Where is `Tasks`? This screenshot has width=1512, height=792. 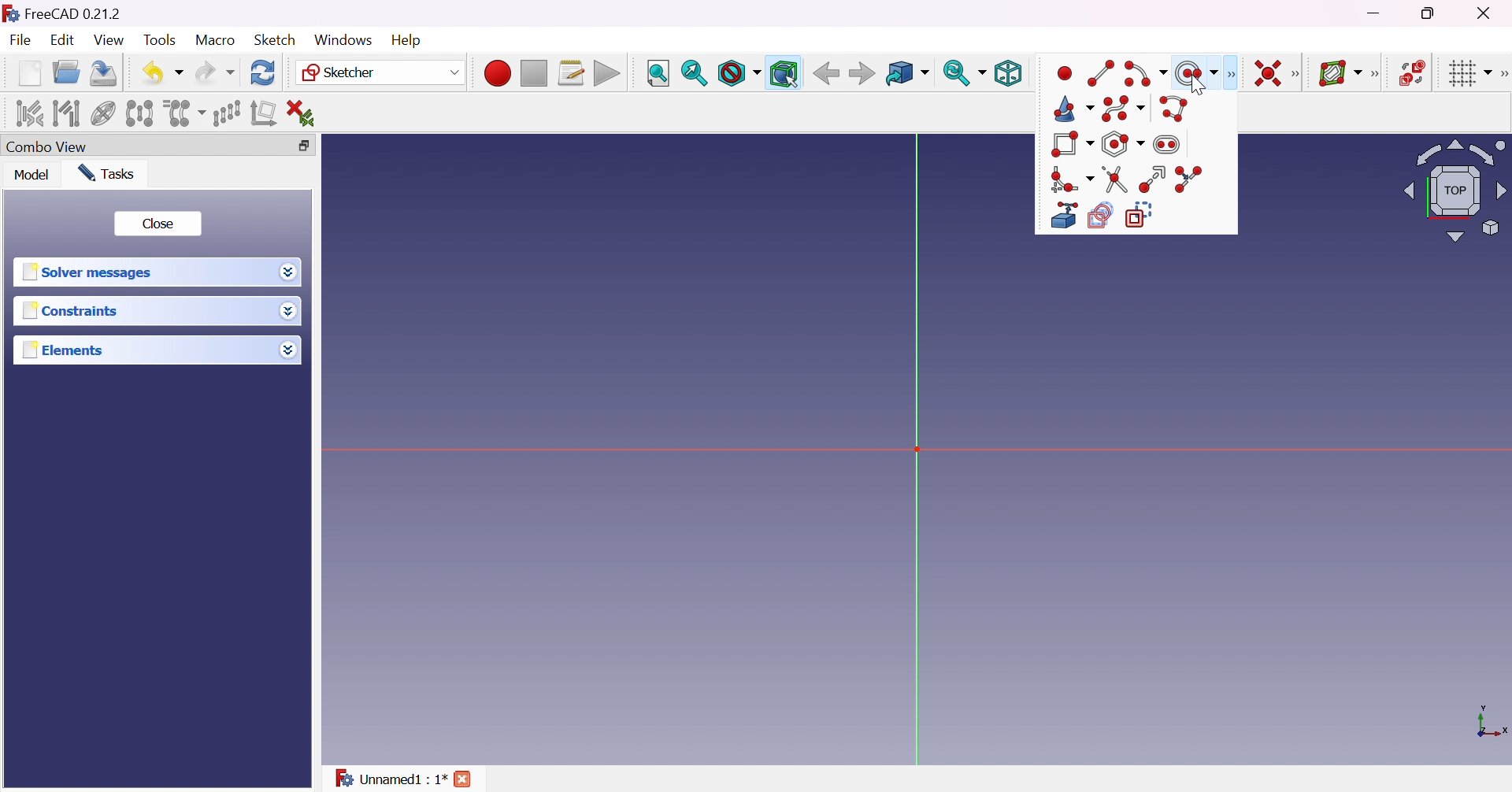 Tasks is located at coordinates (106, 172).